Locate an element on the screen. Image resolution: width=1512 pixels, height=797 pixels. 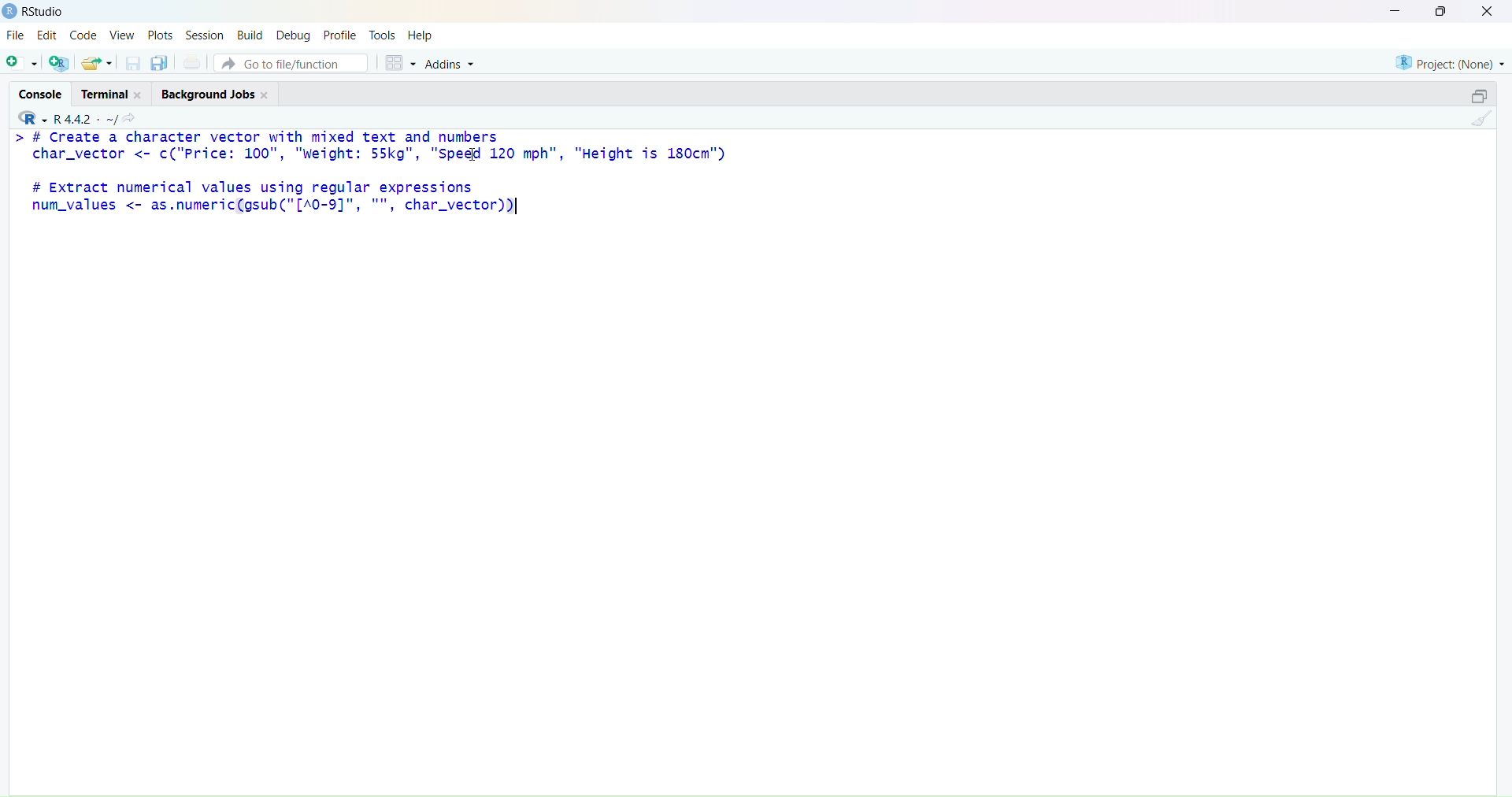
close is located at coordinates (1488, 11).